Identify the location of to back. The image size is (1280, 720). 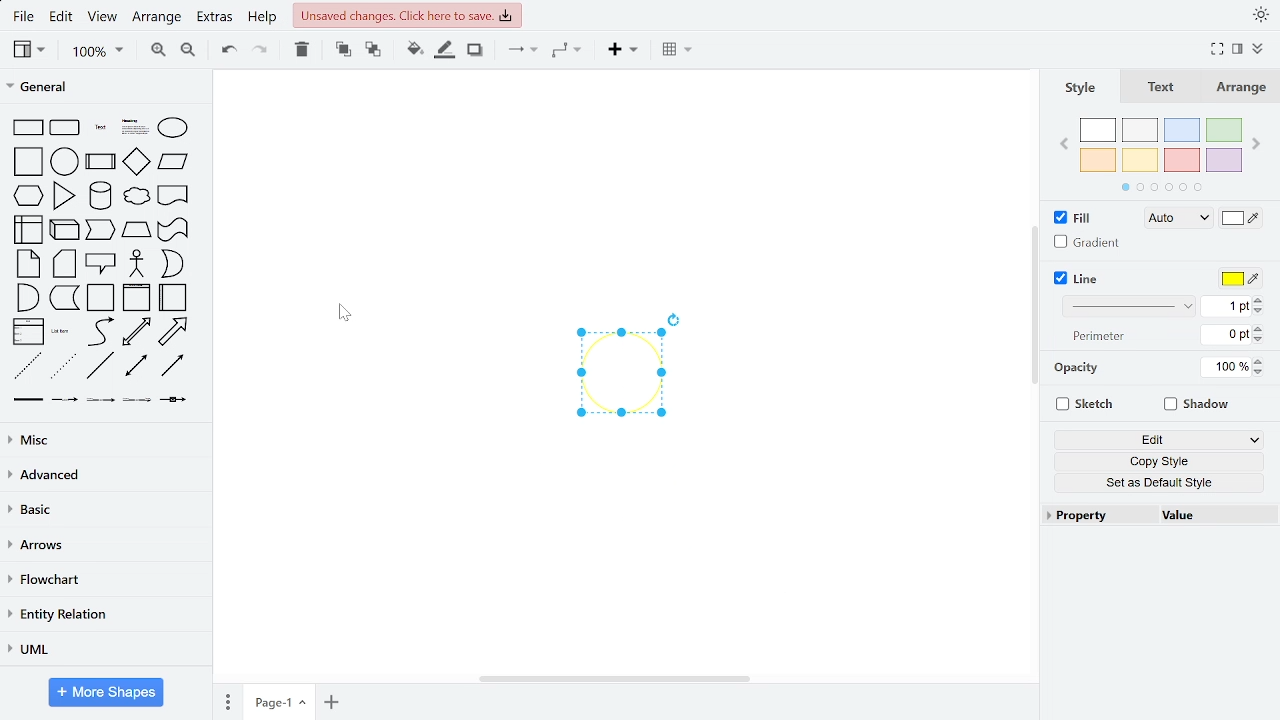
(374, 50).